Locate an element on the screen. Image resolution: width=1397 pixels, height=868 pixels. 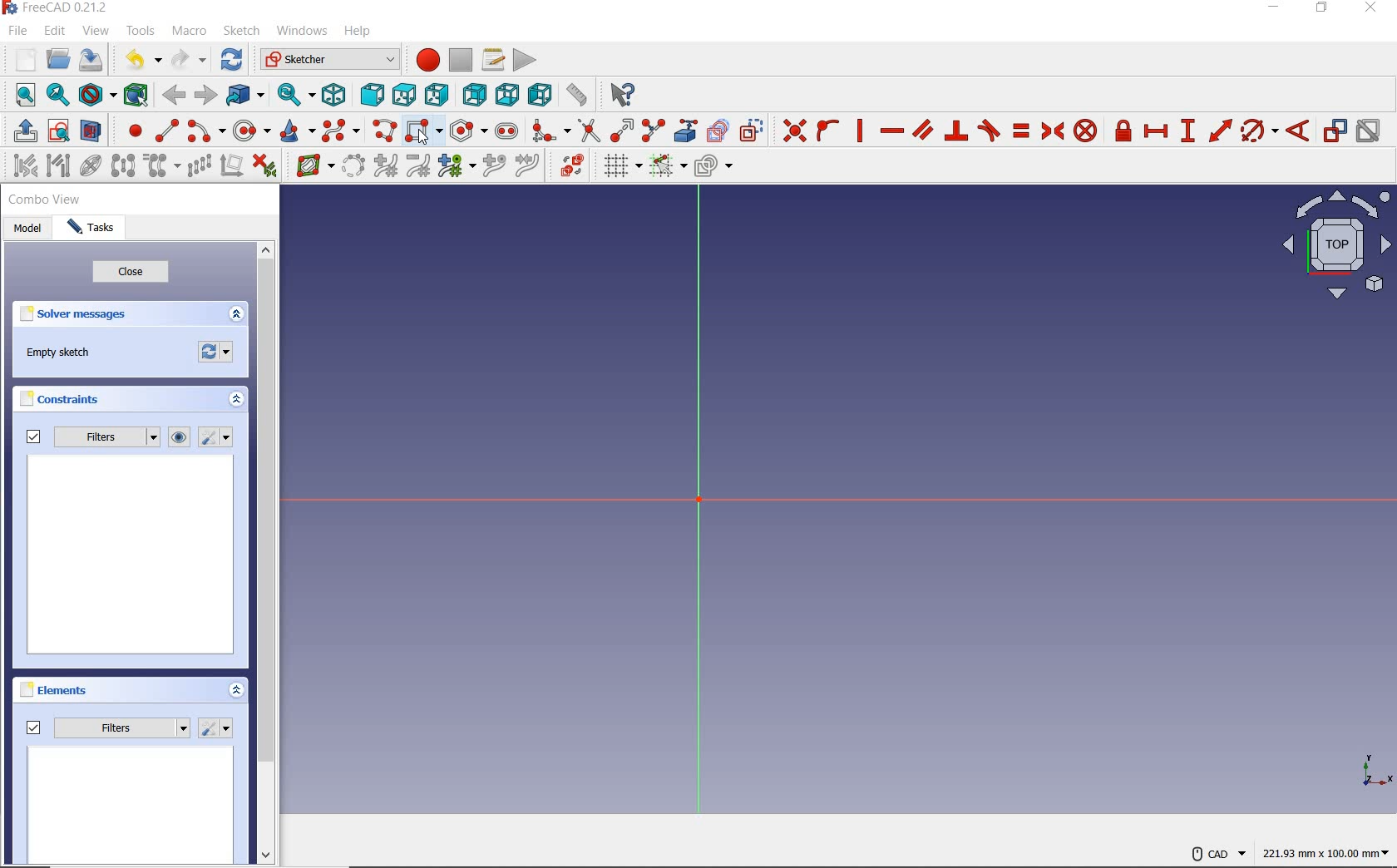
create B-Spline is located at coordinates (343, 131).